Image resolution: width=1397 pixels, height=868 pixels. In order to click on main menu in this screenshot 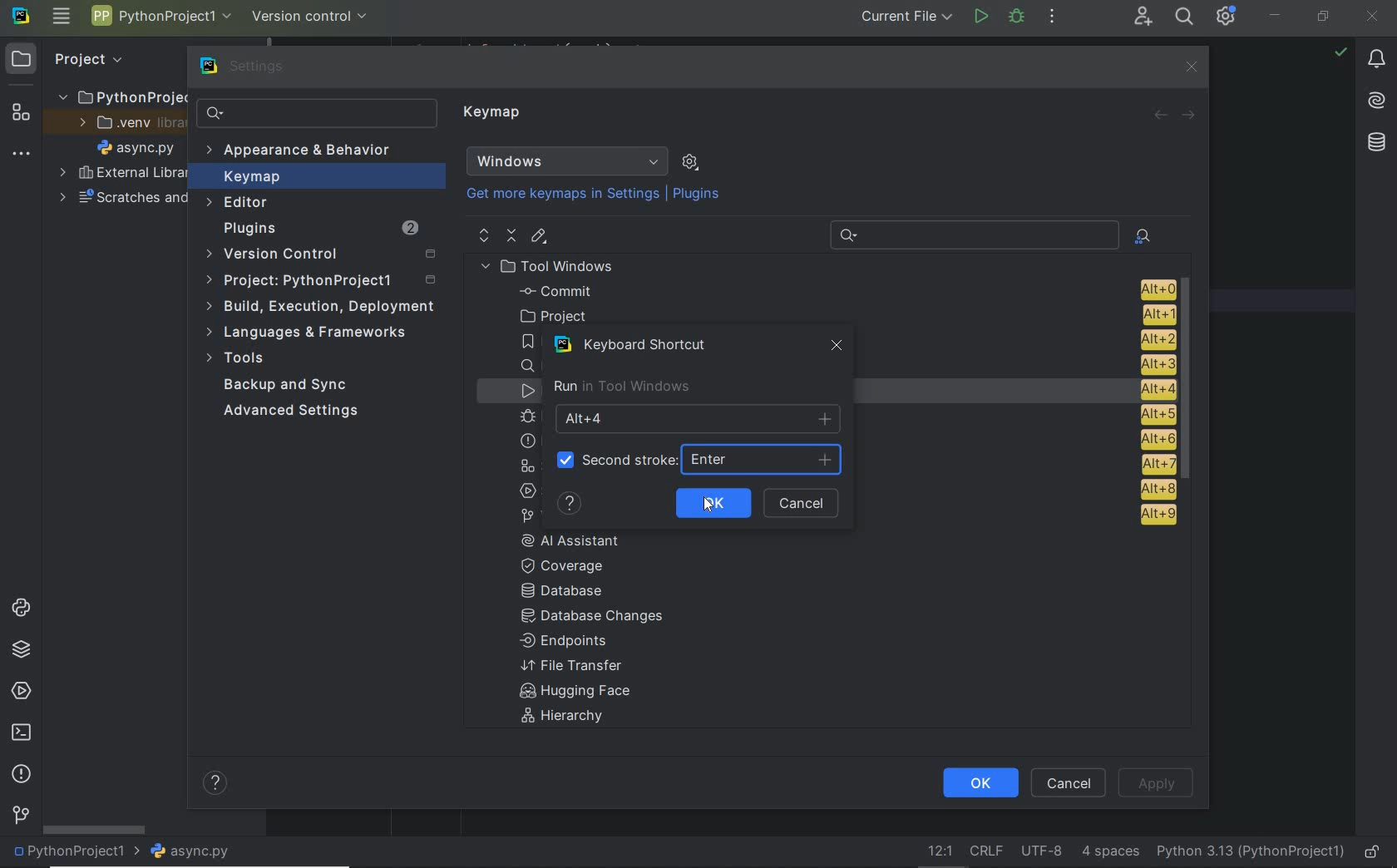, I will do `click(61, 17)`.